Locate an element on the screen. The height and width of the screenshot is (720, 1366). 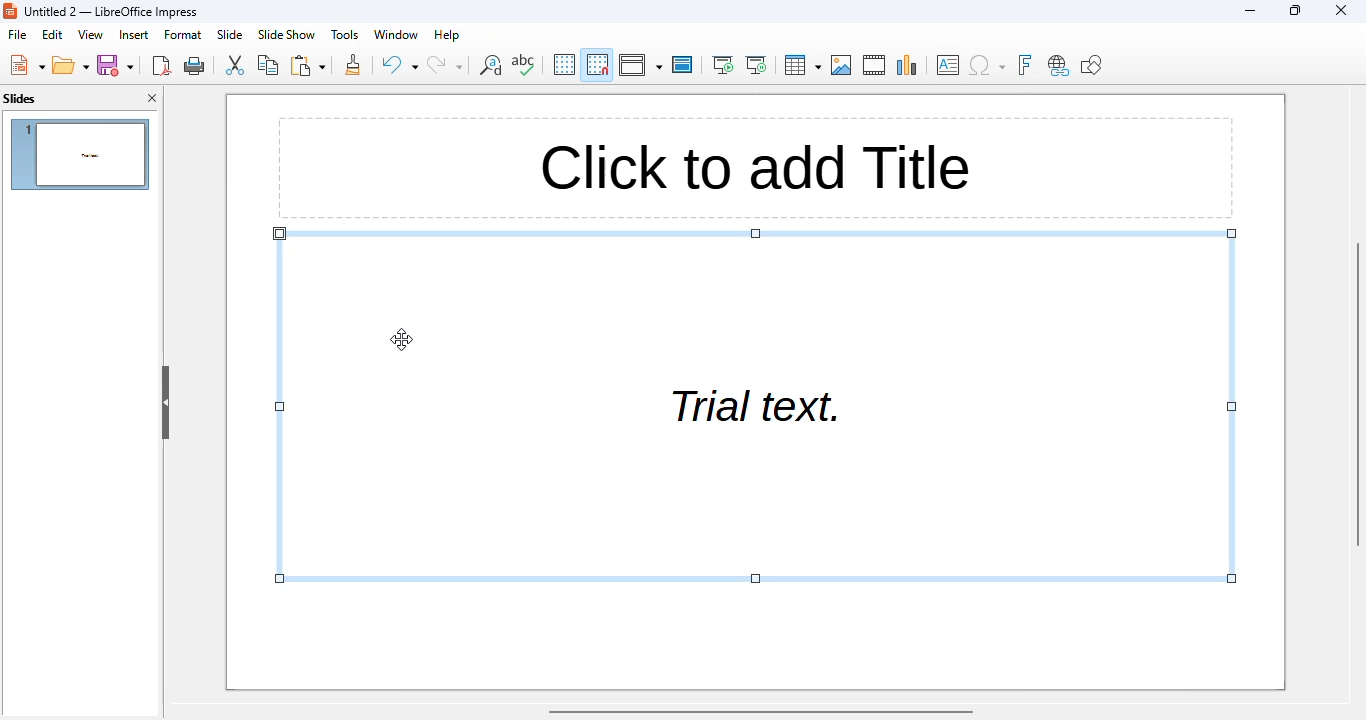
minimize is located at coordinates (1250, 11).